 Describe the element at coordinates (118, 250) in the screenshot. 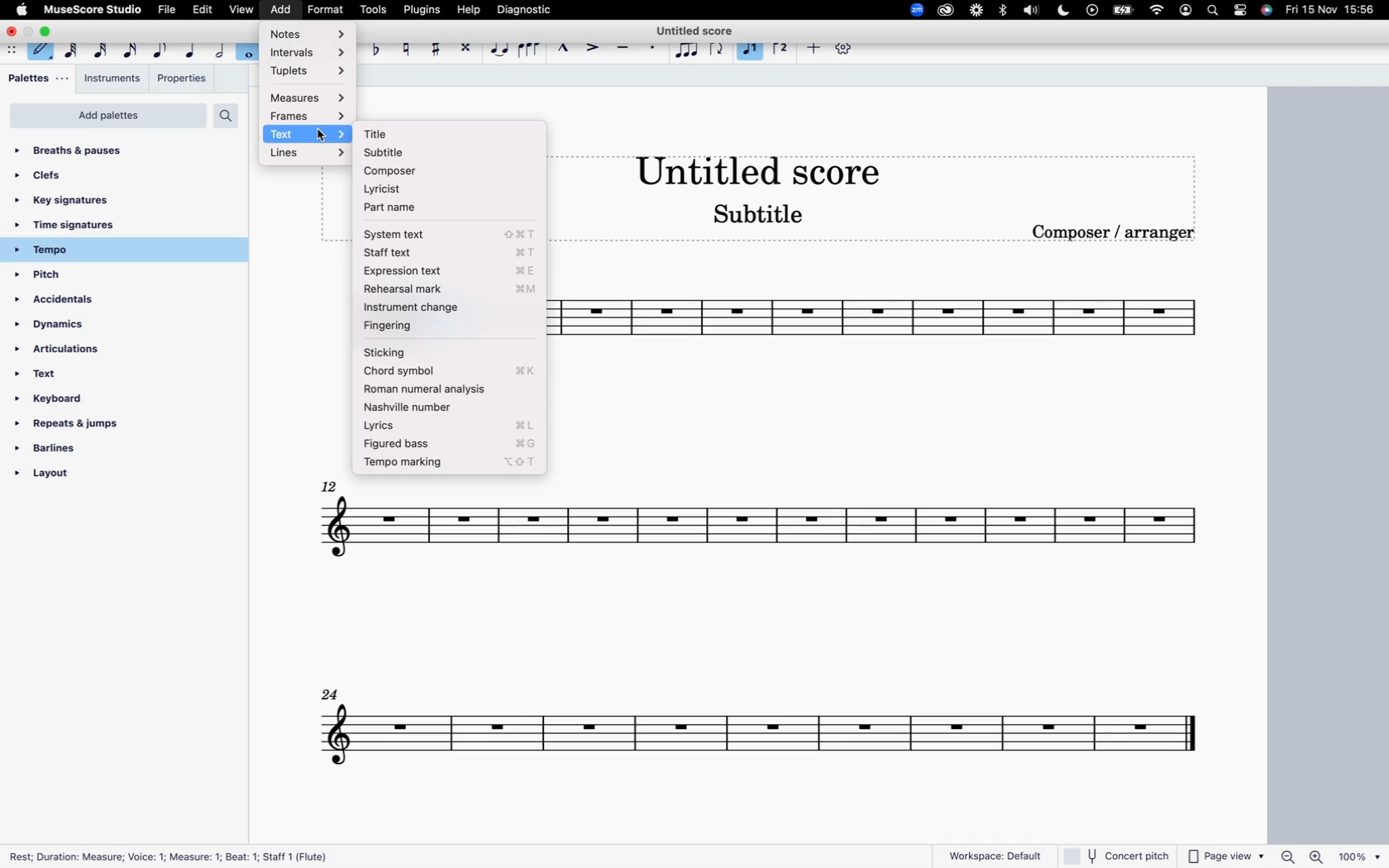

I see `tempo` at that location.